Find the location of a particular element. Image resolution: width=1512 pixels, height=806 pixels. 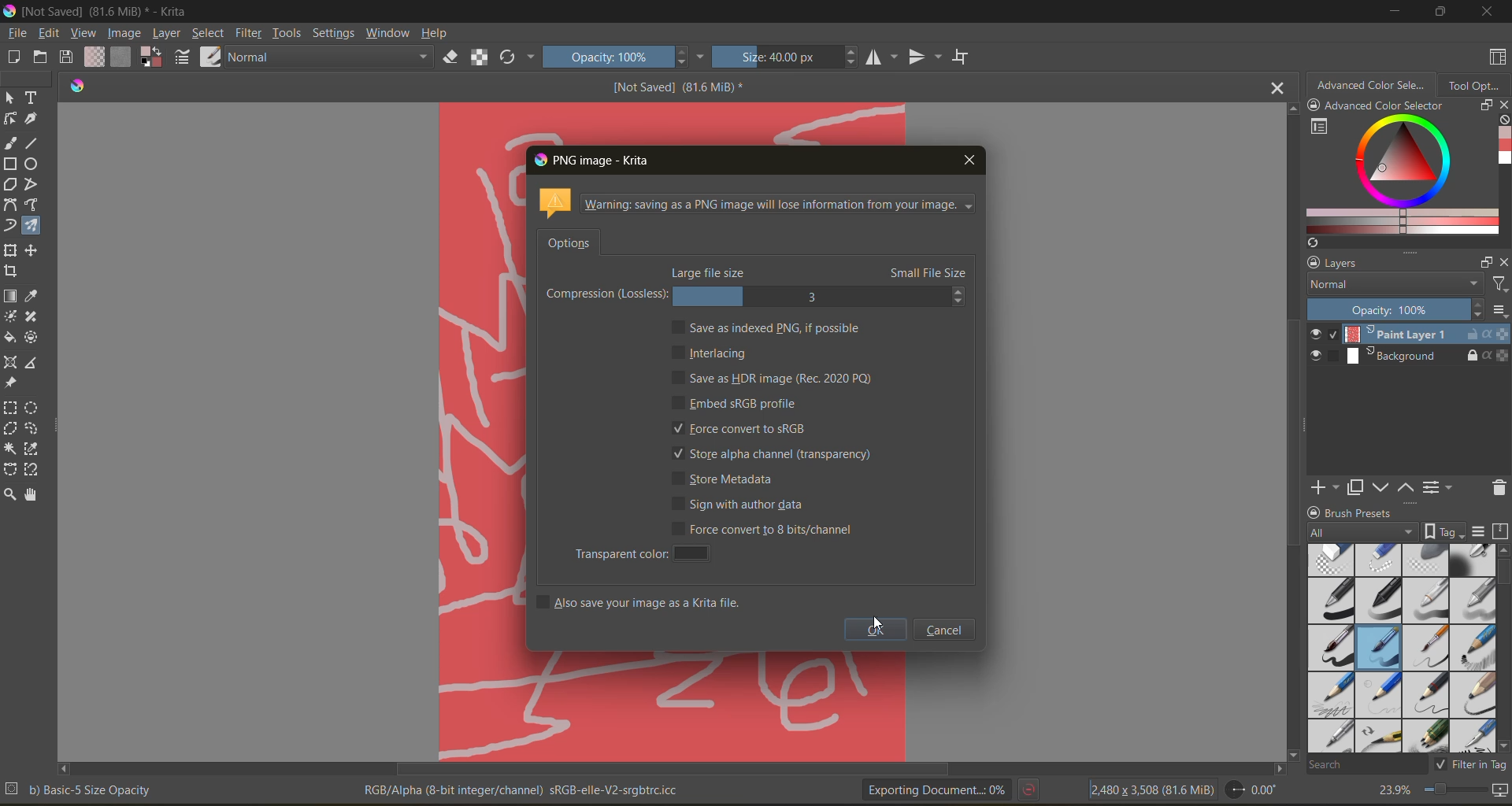

save as indexed is located at coordinates (769, 327).